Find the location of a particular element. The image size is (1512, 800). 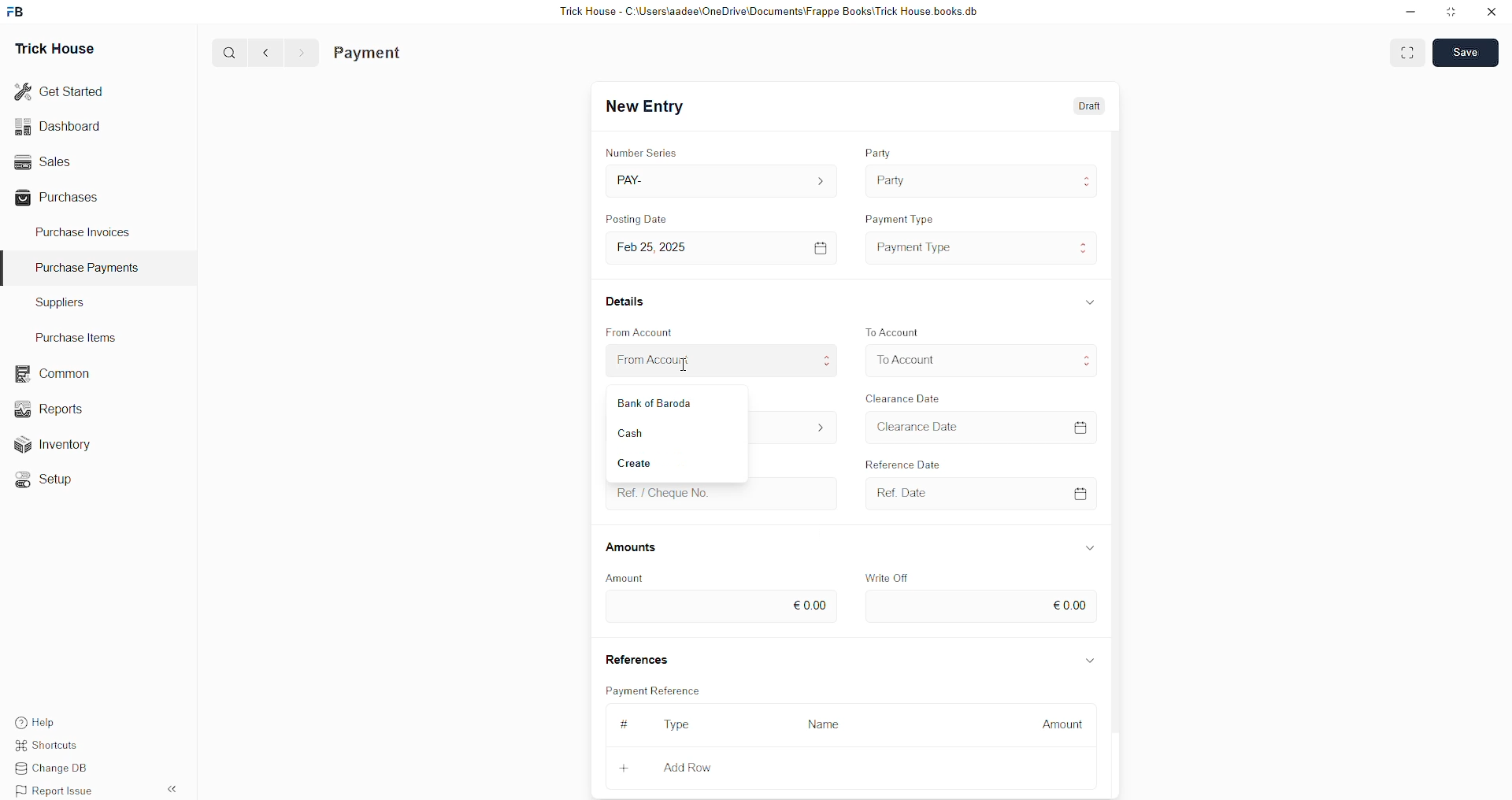

Amounts is located at coordinates (638, 548).